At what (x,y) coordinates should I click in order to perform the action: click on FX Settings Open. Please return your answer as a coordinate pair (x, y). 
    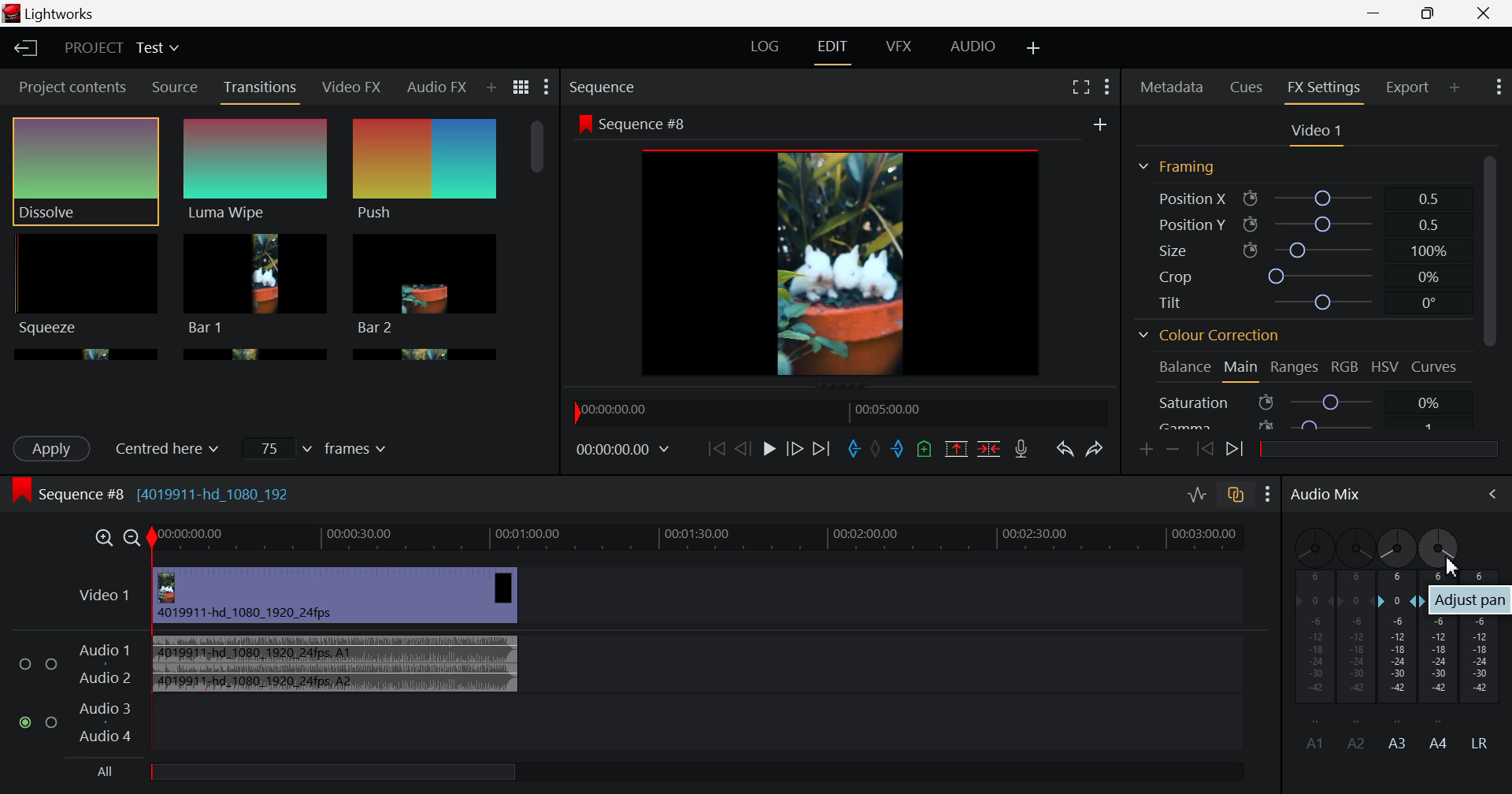
    Looking at the image, I should click on (1326, 90).